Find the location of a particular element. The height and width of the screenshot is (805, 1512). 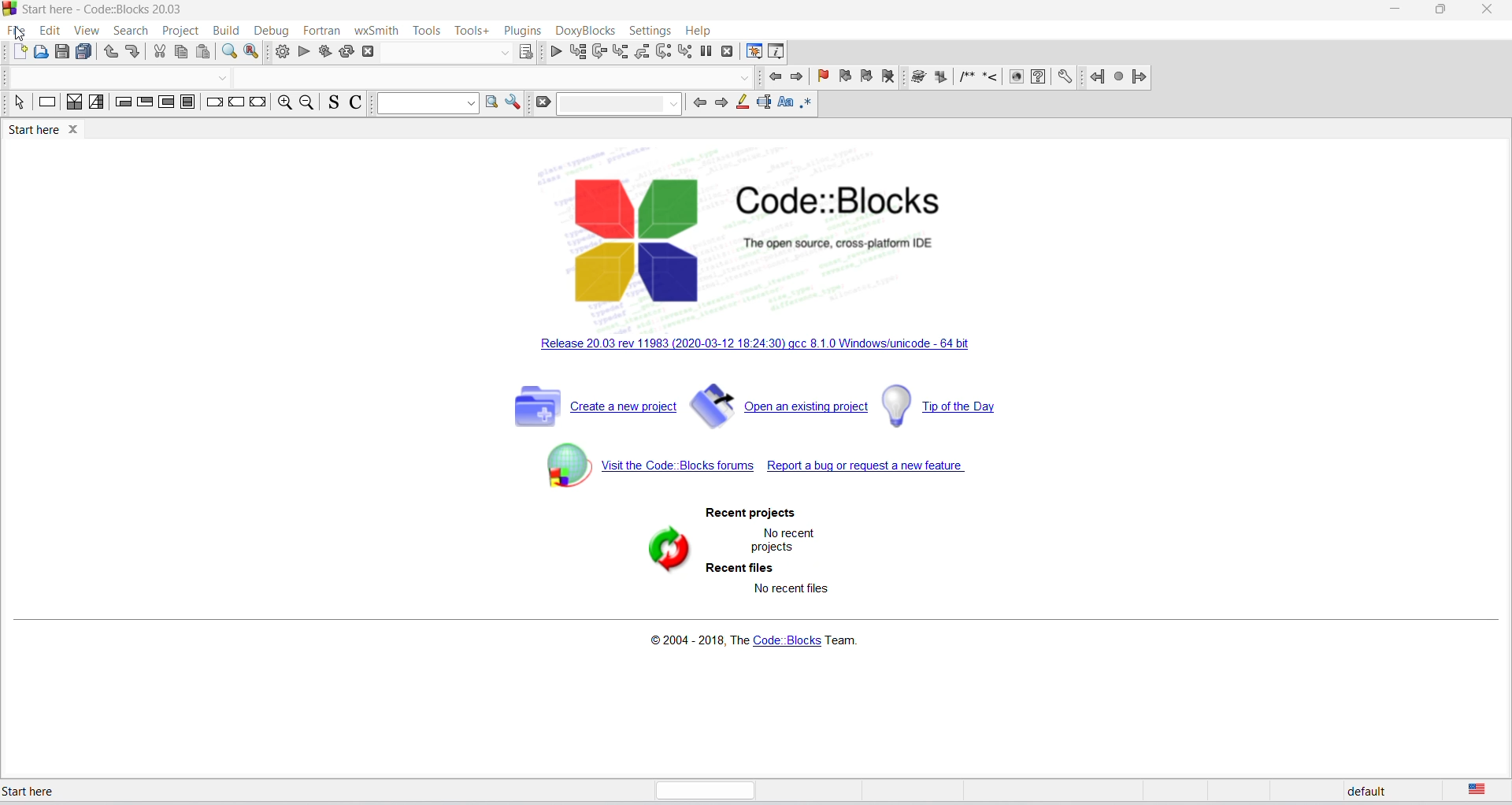

icon is located at coordinates (990, 78).